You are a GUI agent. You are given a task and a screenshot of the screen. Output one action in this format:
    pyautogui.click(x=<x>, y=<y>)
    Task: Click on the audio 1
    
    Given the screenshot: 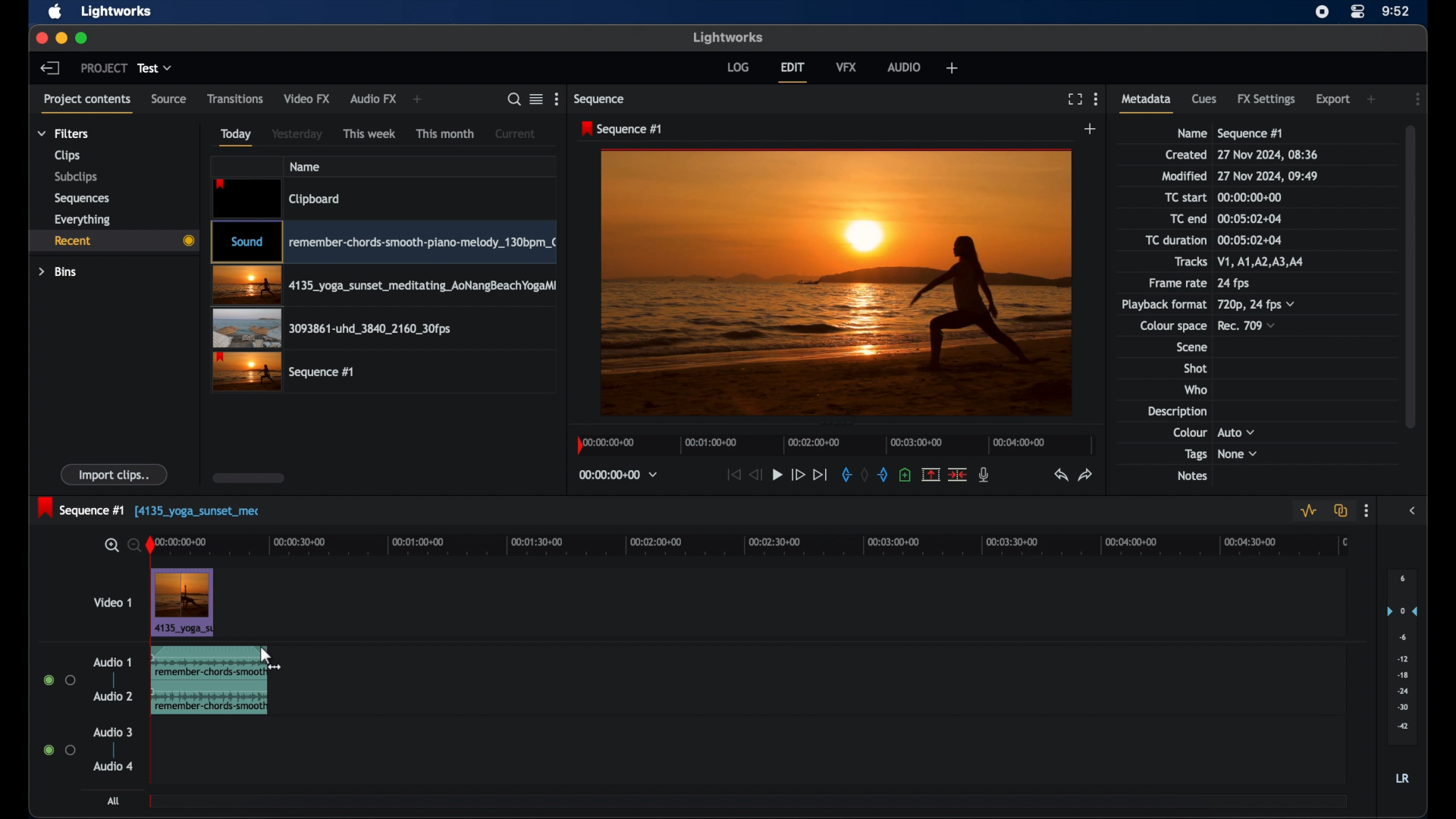 What is the action you would take?
    pyautogui.click(x=112, y=662)
    